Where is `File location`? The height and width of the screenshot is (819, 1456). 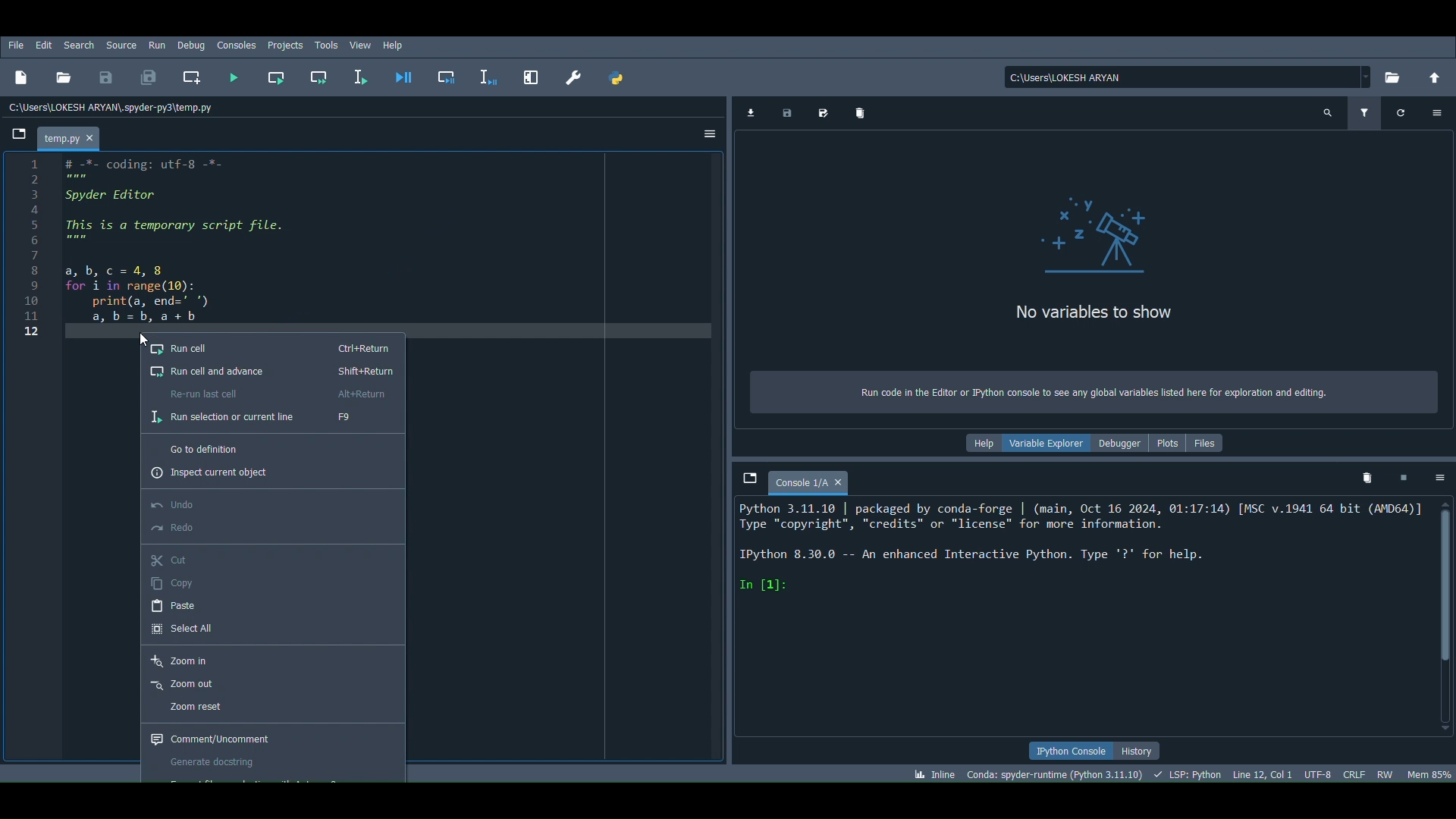
File location is located at coordinates (1188, 78).